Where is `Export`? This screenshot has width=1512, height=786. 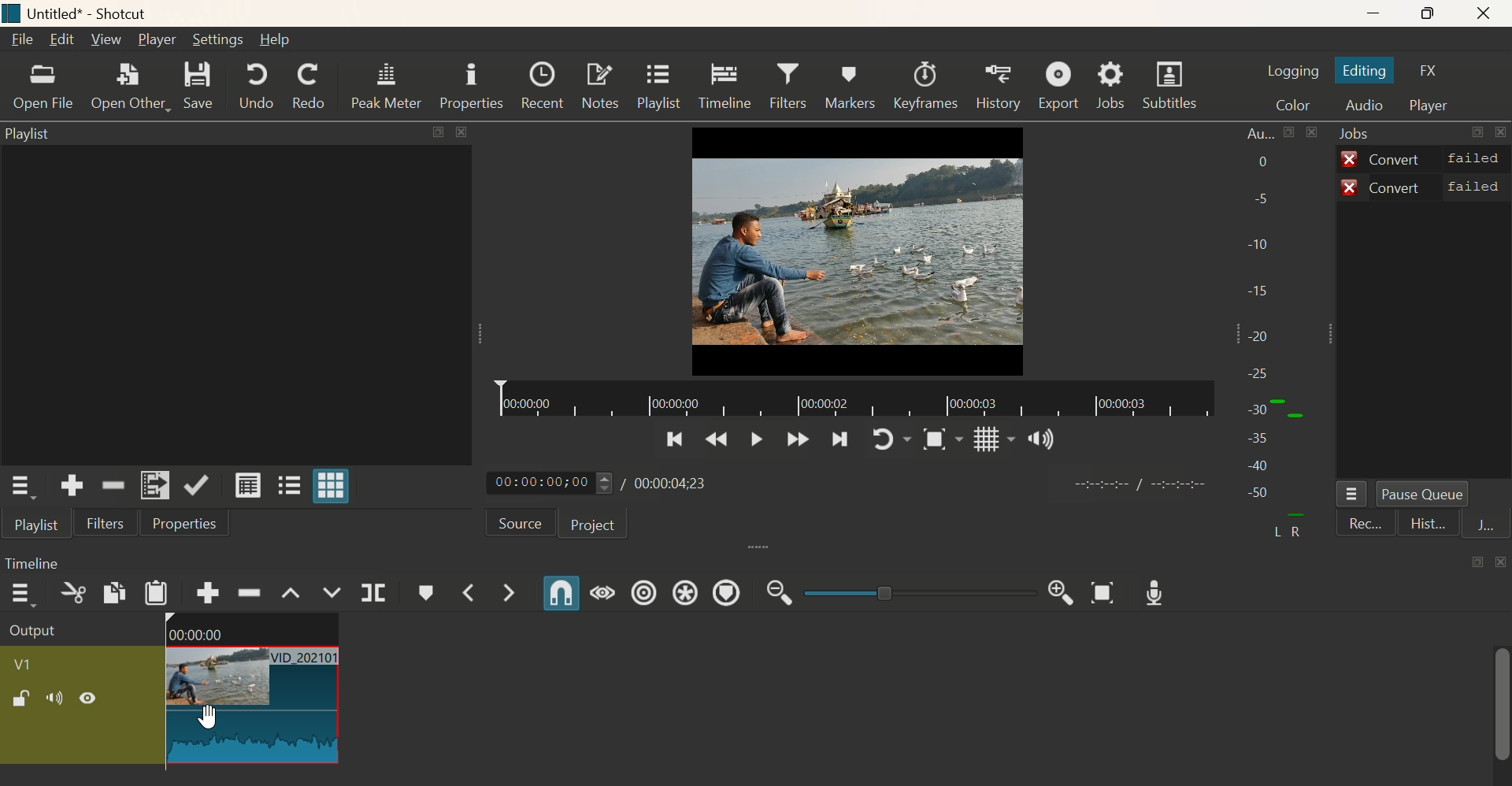
Export is located at coordinates (1061, 87).